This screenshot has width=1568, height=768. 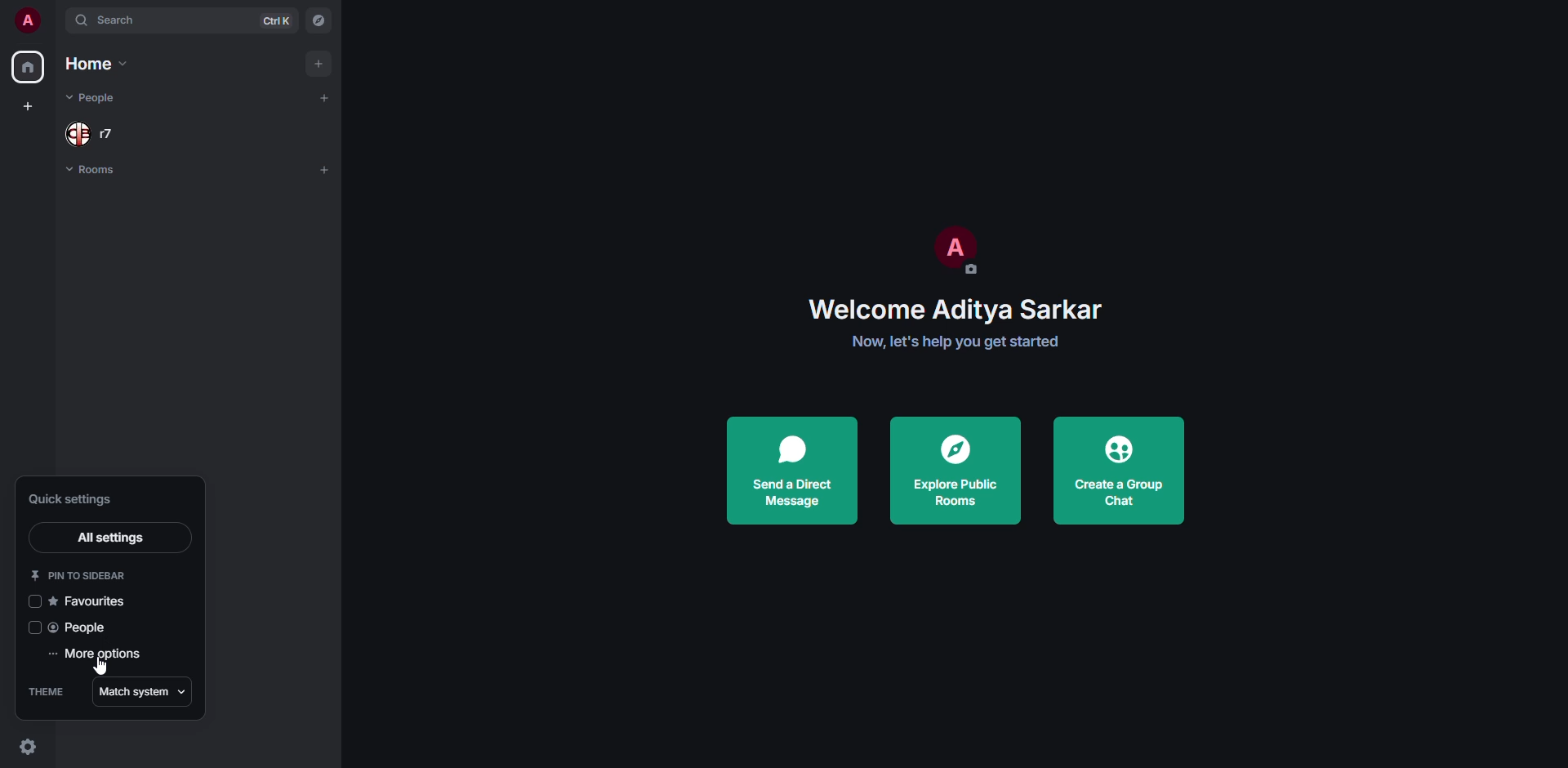 What do you see at coordinates (98, 601) in the screenshot?
I see `favorites` at bounding box center [98, 601].